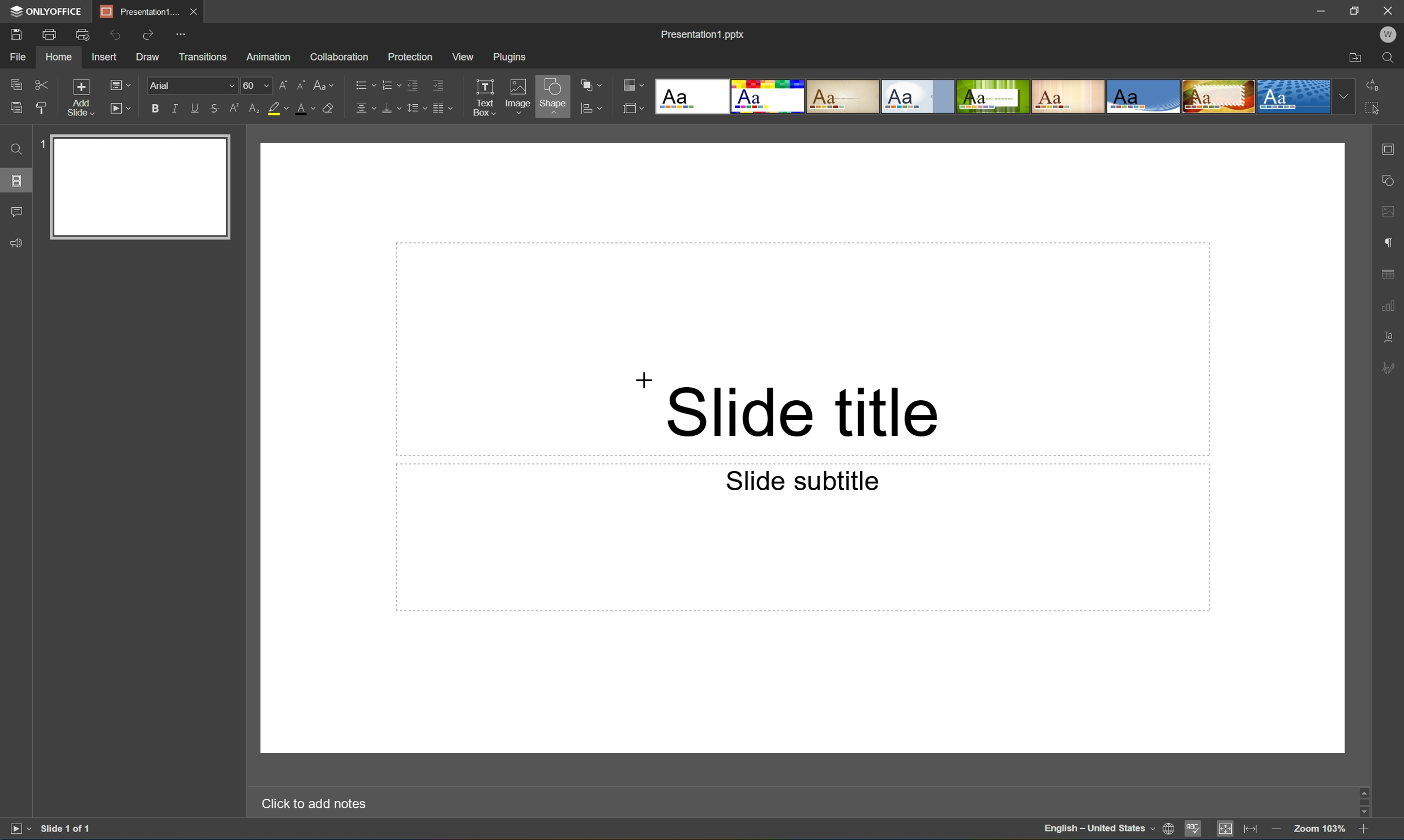 Image resolution: width=1404 pixels, height=840 pixels. Describe the element at coordinates (38, 146) in the screenshot. I see `1` at that location.